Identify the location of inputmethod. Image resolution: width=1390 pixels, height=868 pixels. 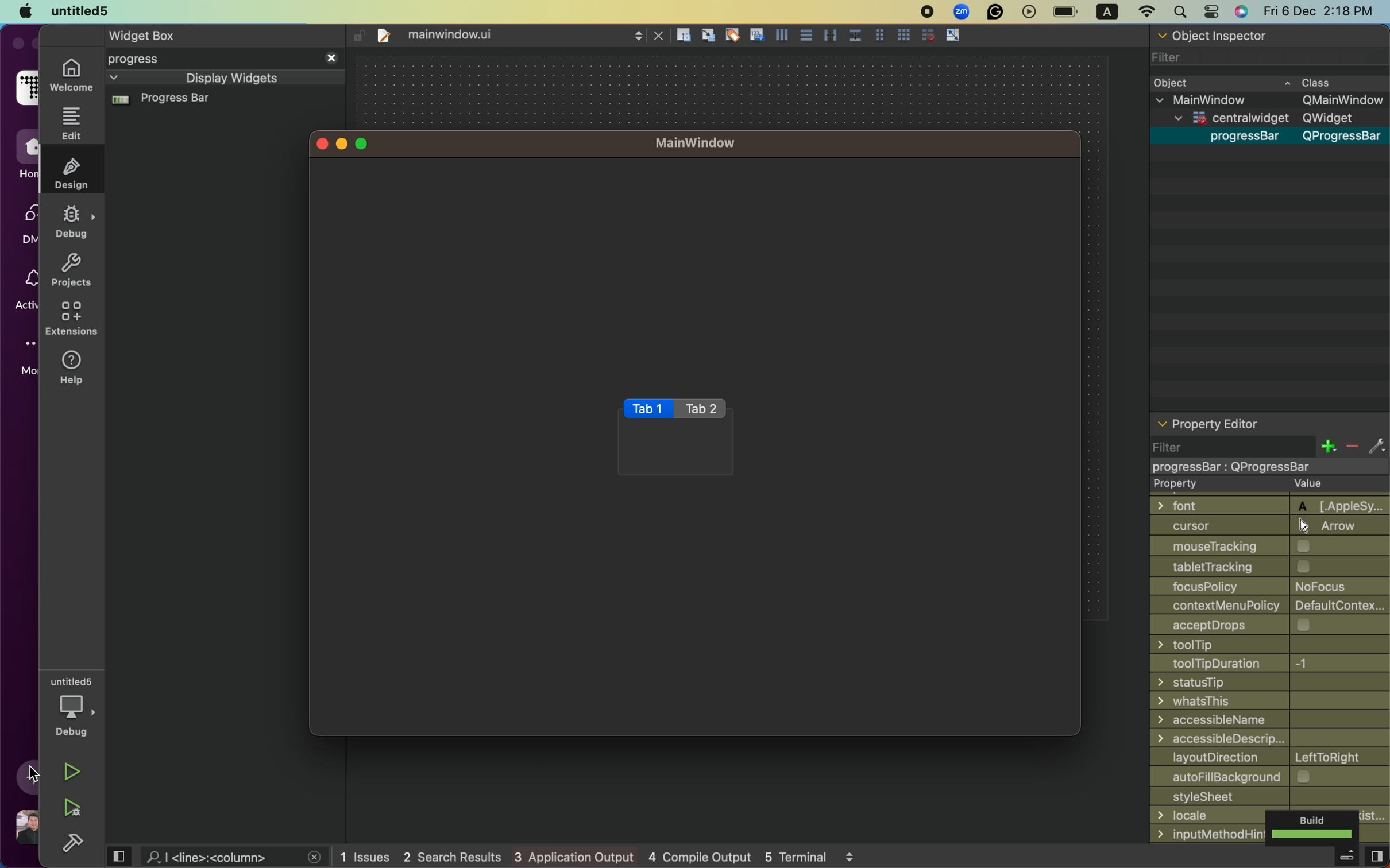
(1207, 834).